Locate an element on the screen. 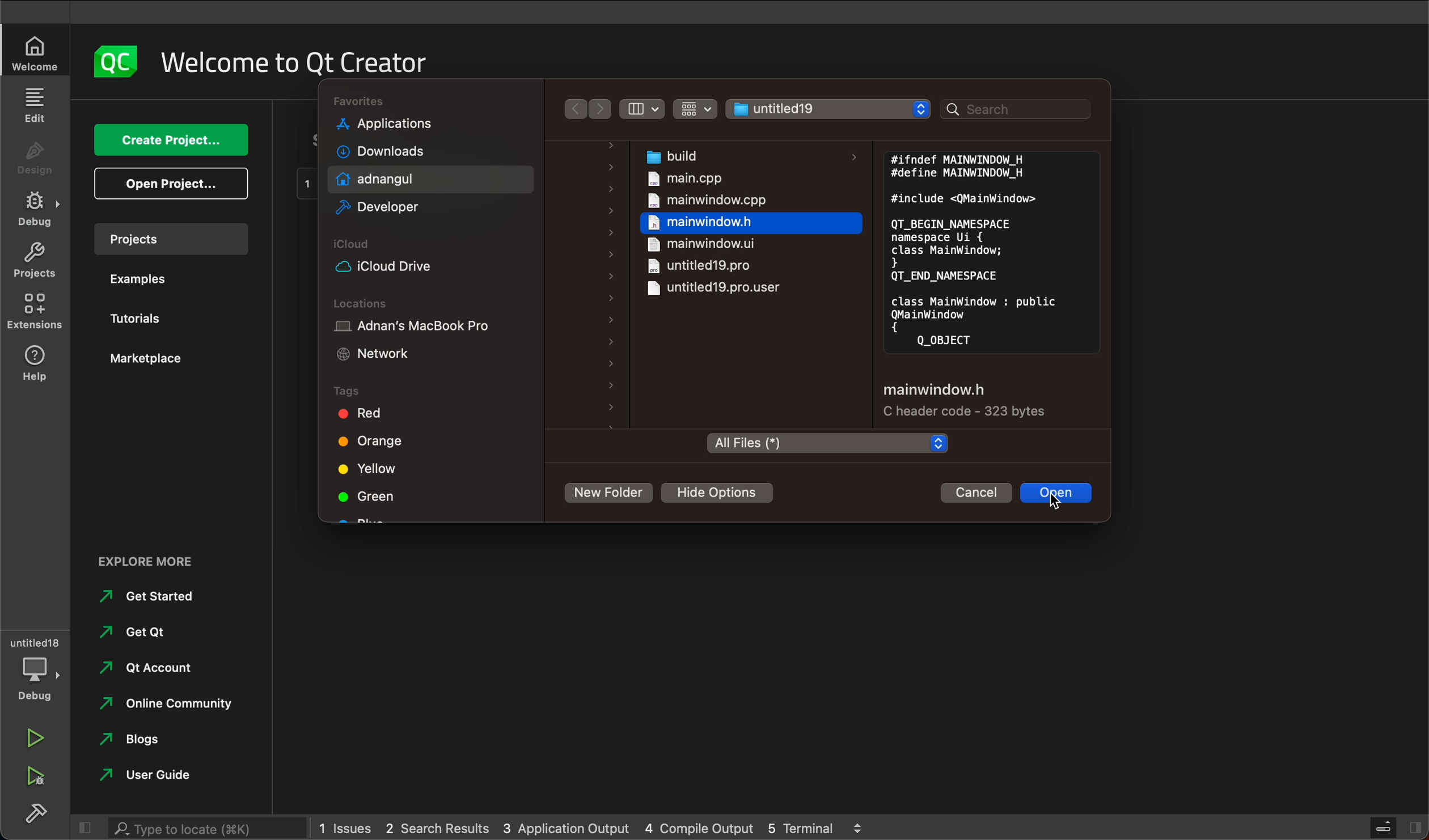 The width and height of the screenshot is (1429, 840). close slide bar is located at coordinates (1396, 829).